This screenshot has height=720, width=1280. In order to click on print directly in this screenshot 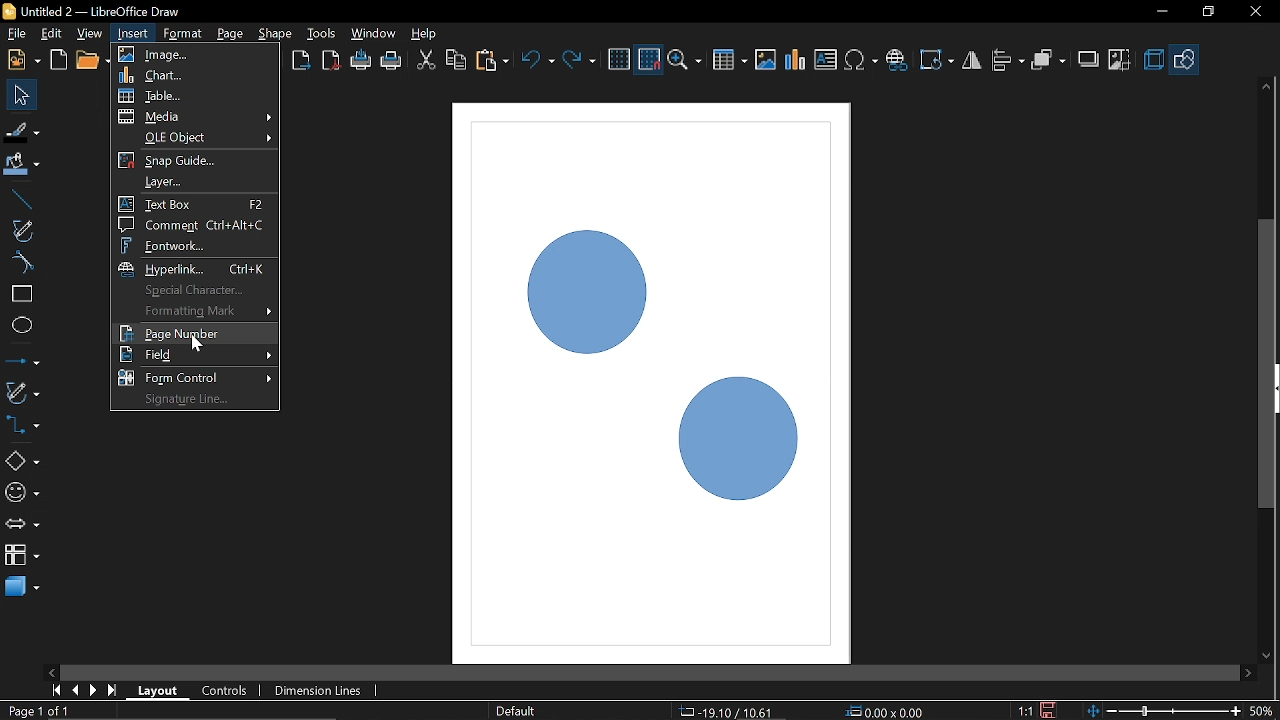, I will do `click(392, 60)`.